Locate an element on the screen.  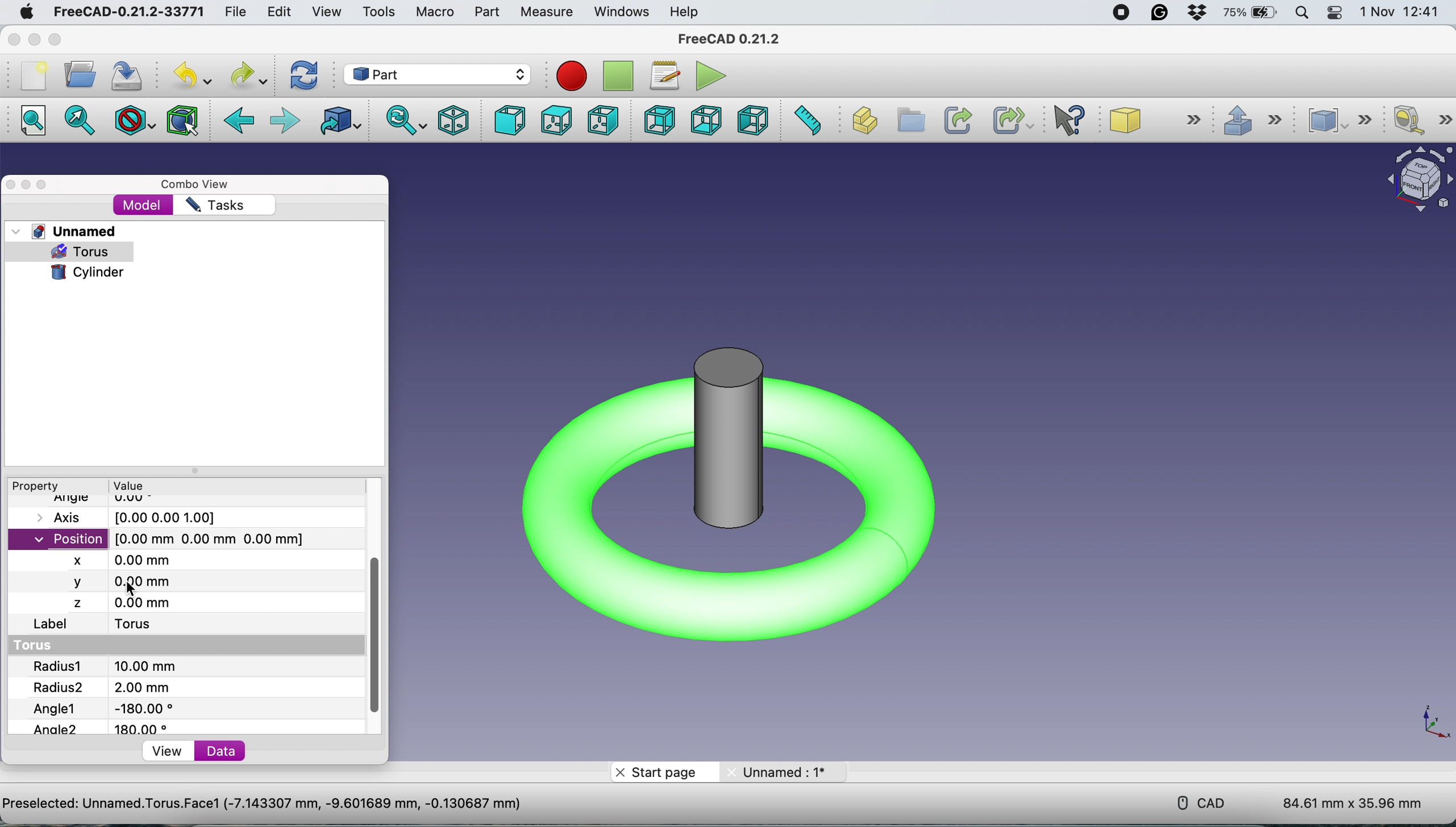
Radius 1 and 2's value is located at coordinates (133, 678).